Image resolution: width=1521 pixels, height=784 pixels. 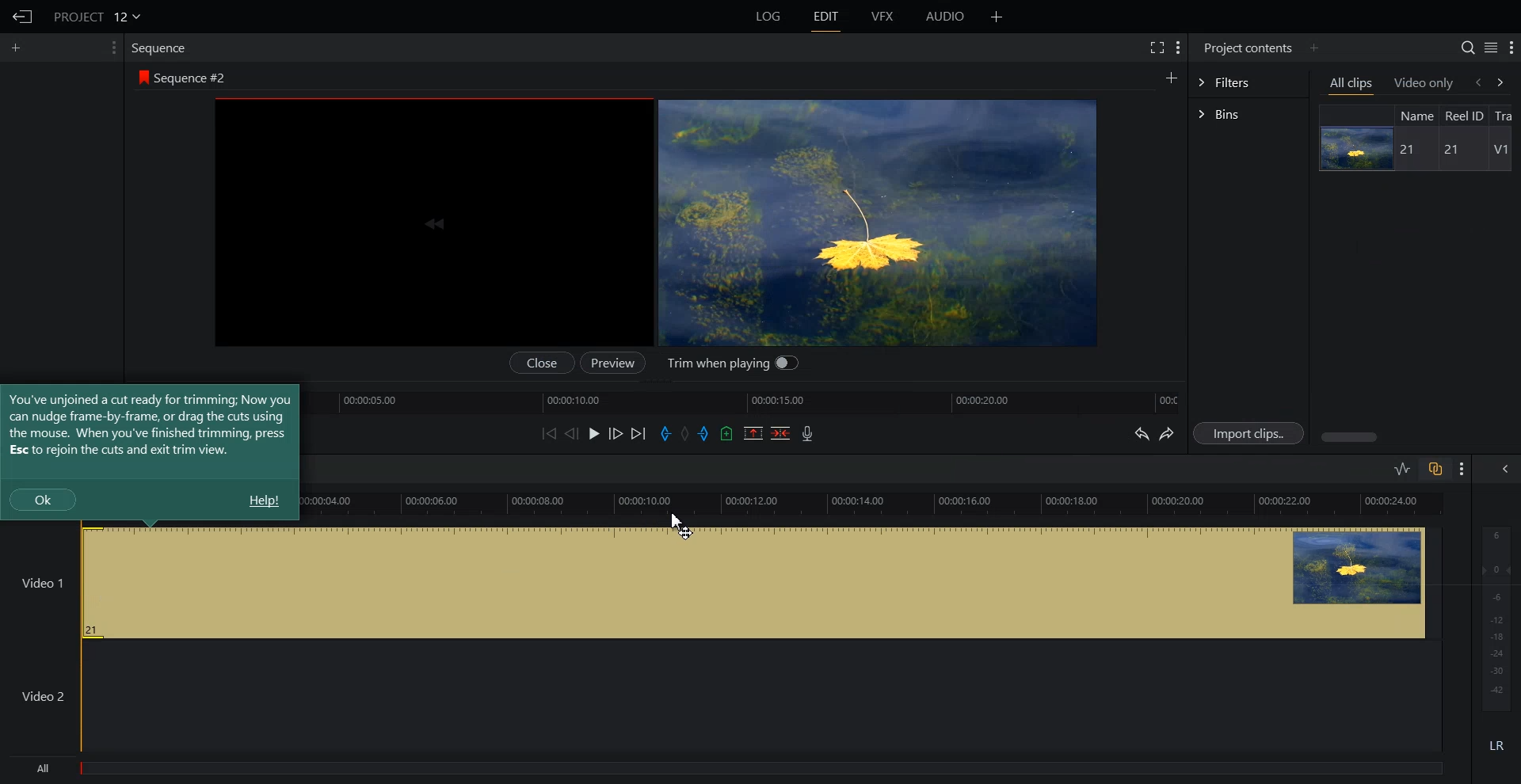 I want to click on Toggle between list and tile view, so click(x=1490, y=47).